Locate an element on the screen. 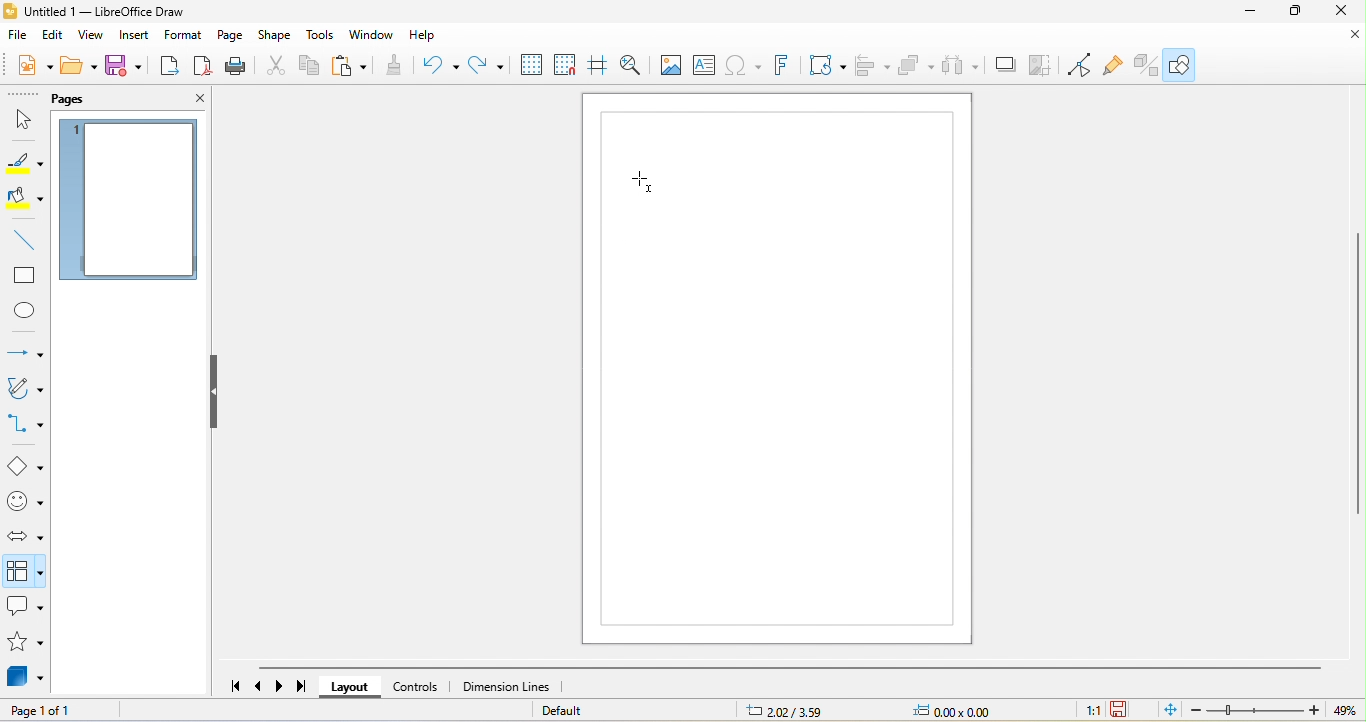  curve and polygons is located at coordinates (24, 390).